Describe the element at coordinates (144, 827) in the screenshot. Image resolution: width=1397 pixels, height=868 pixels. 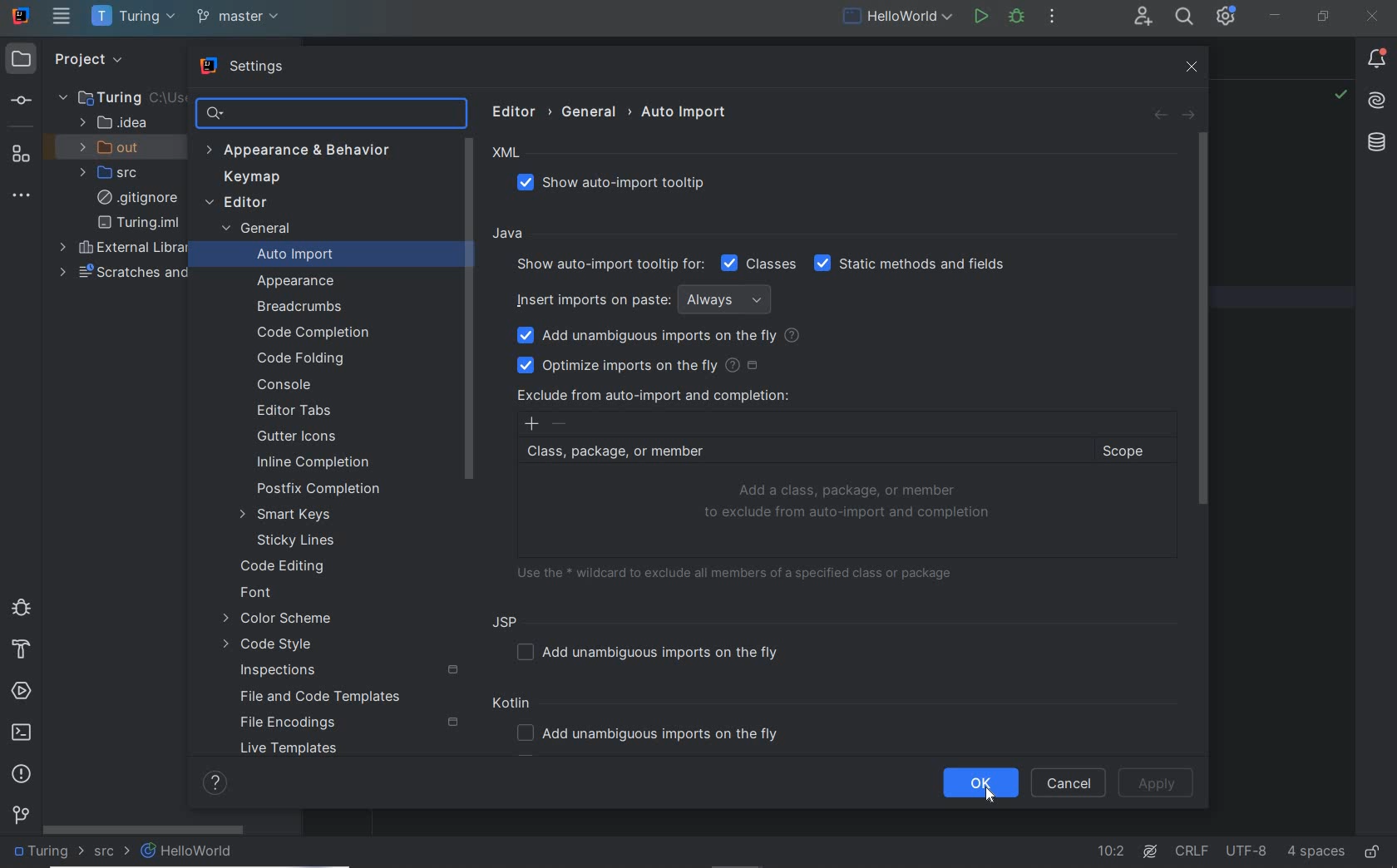
I see `SCROLLBAR` at that location.